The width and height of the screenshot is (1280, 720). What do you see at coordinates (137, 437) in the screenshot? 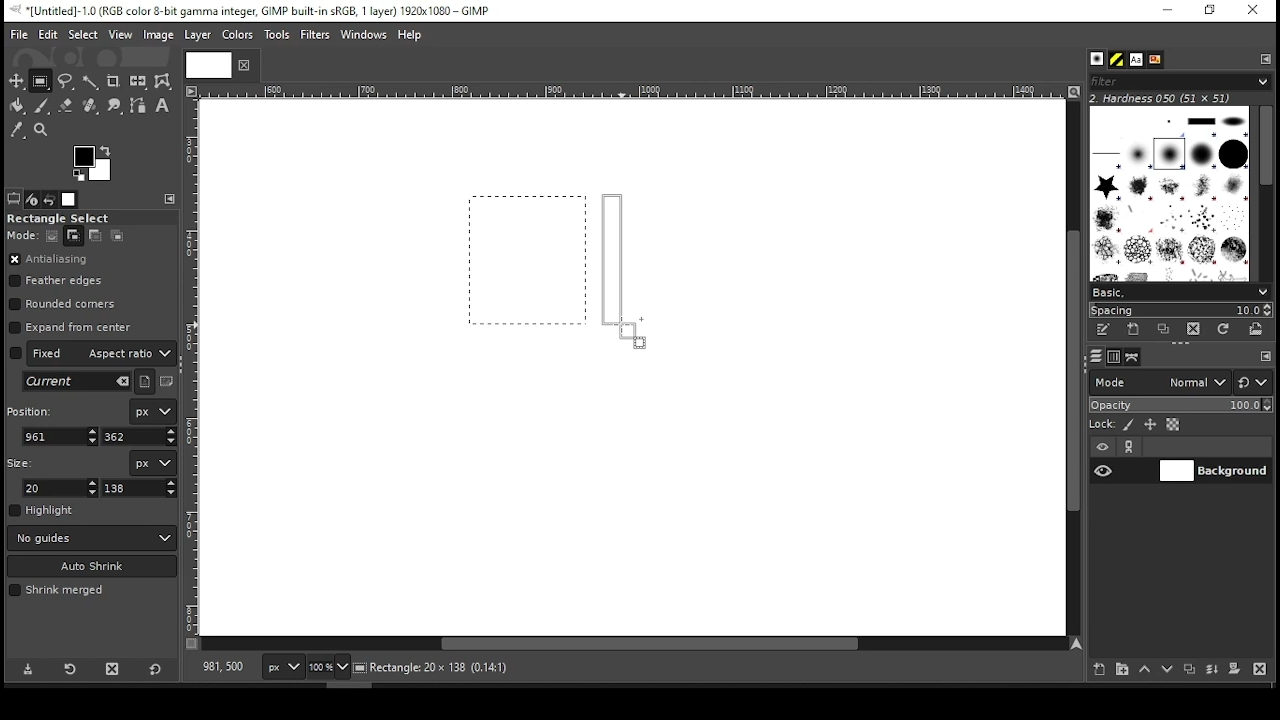
I see `y` at bounding box center [137, 437].